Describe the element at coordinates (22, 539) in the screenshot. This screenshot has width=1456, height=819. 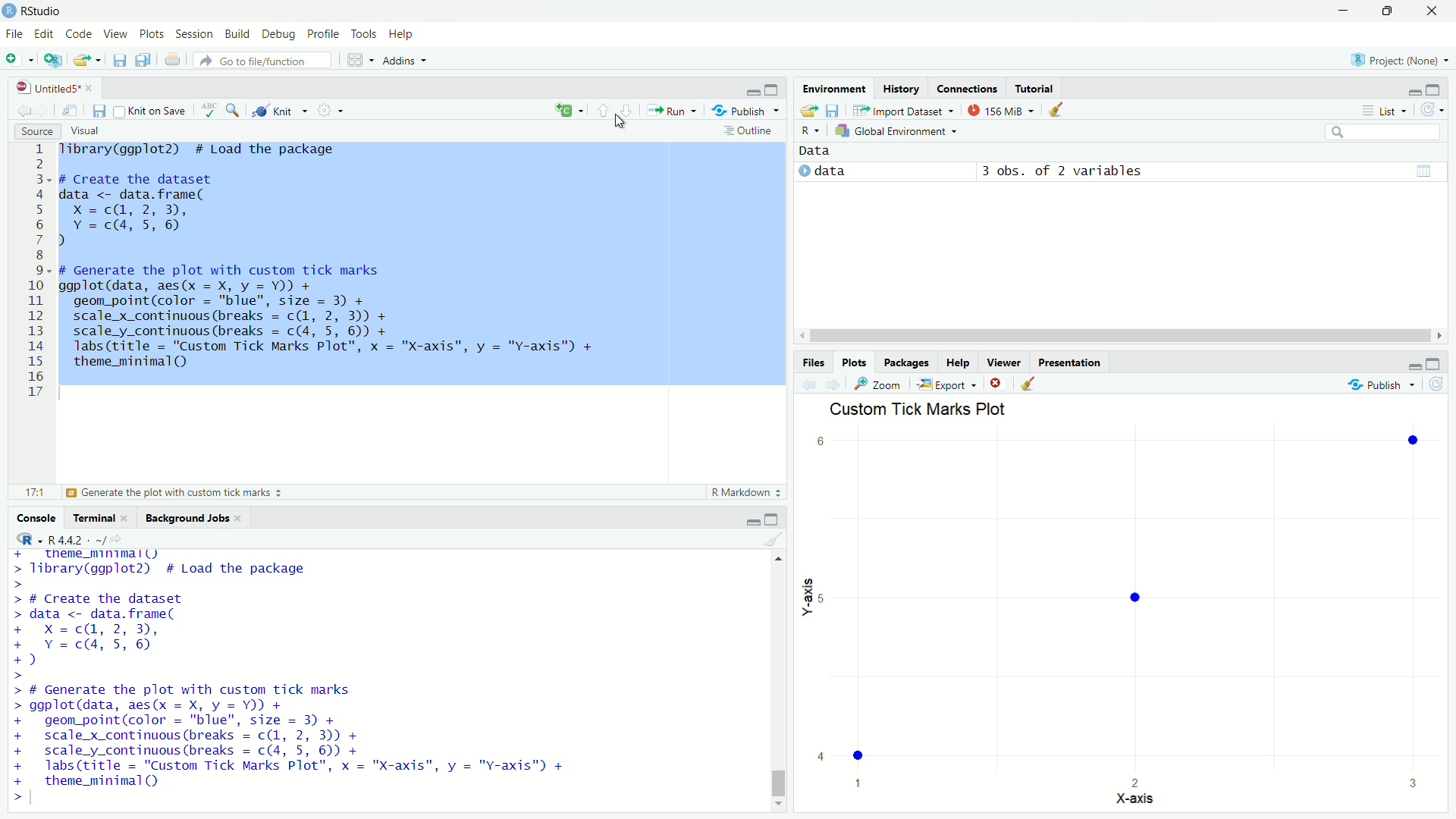
I see `select language` at that location.